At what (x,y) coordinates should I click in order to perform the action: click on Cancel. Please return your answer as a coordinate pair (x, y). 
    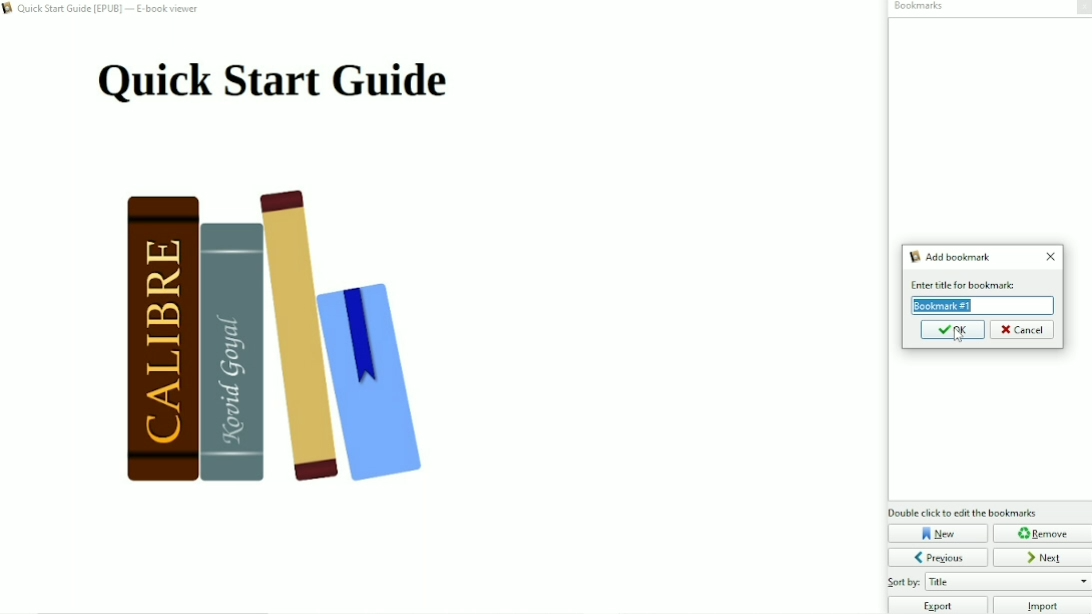
    Looking at the image, I should click on (1022, 329).